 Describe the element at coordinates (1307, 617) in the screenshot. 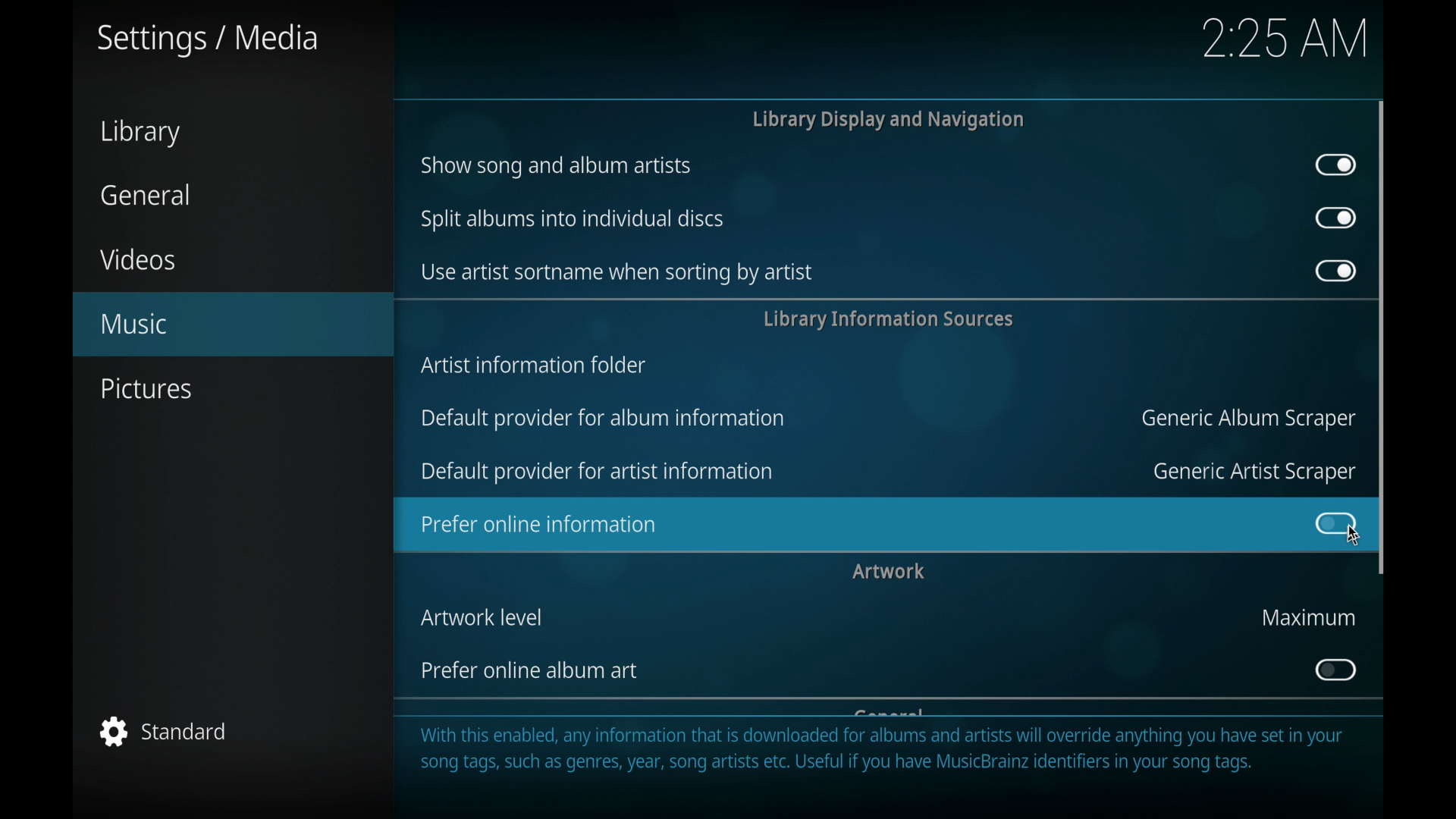

I see `maximum` at that location.